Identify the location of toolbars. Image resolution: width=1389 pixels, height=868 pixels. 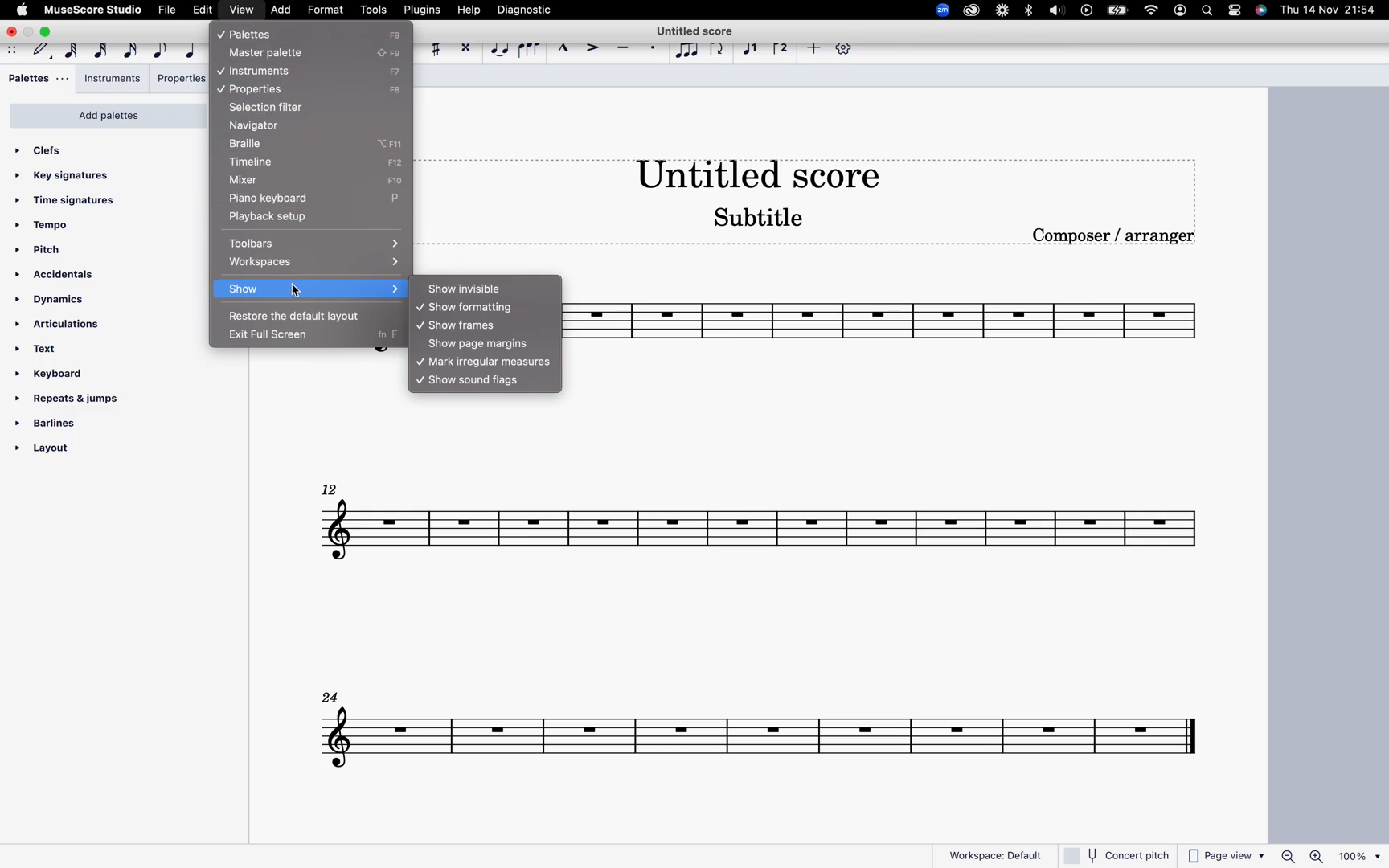
(314, 242).